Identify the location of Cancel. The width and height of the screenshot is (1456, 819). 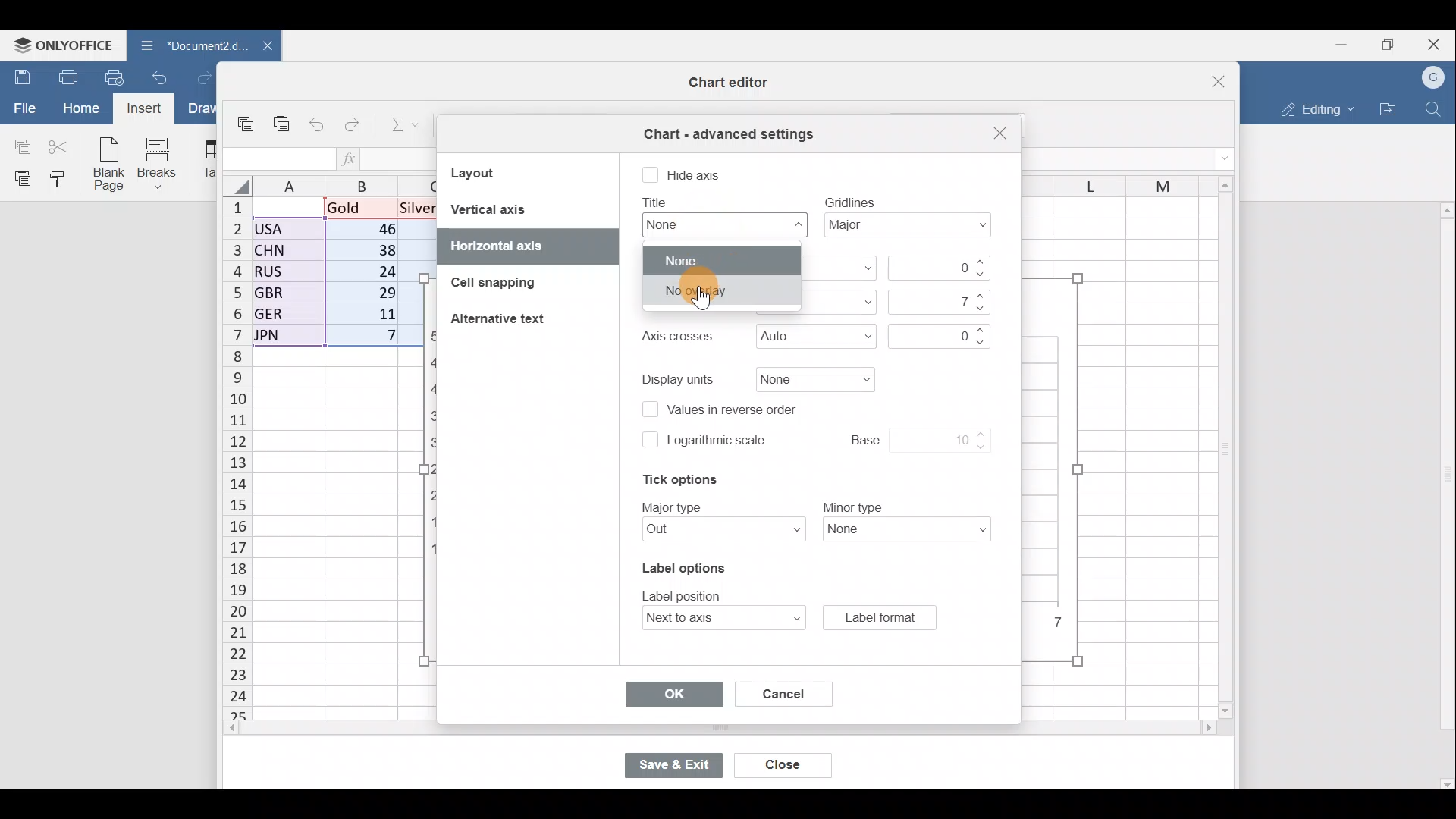
(777, 691).